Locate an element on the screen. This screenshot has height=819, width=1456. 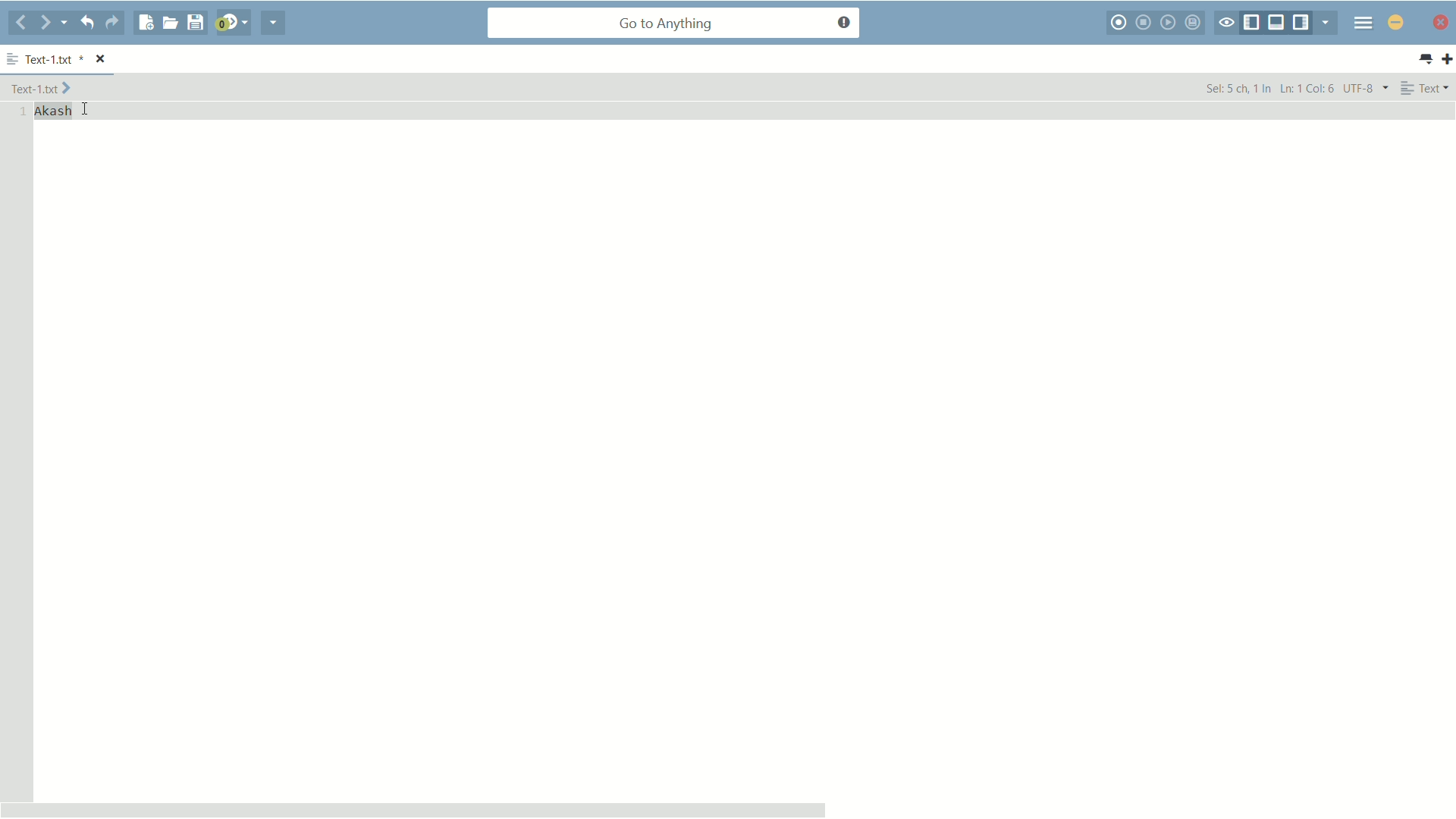
forward is located at coordinates (54, 23).